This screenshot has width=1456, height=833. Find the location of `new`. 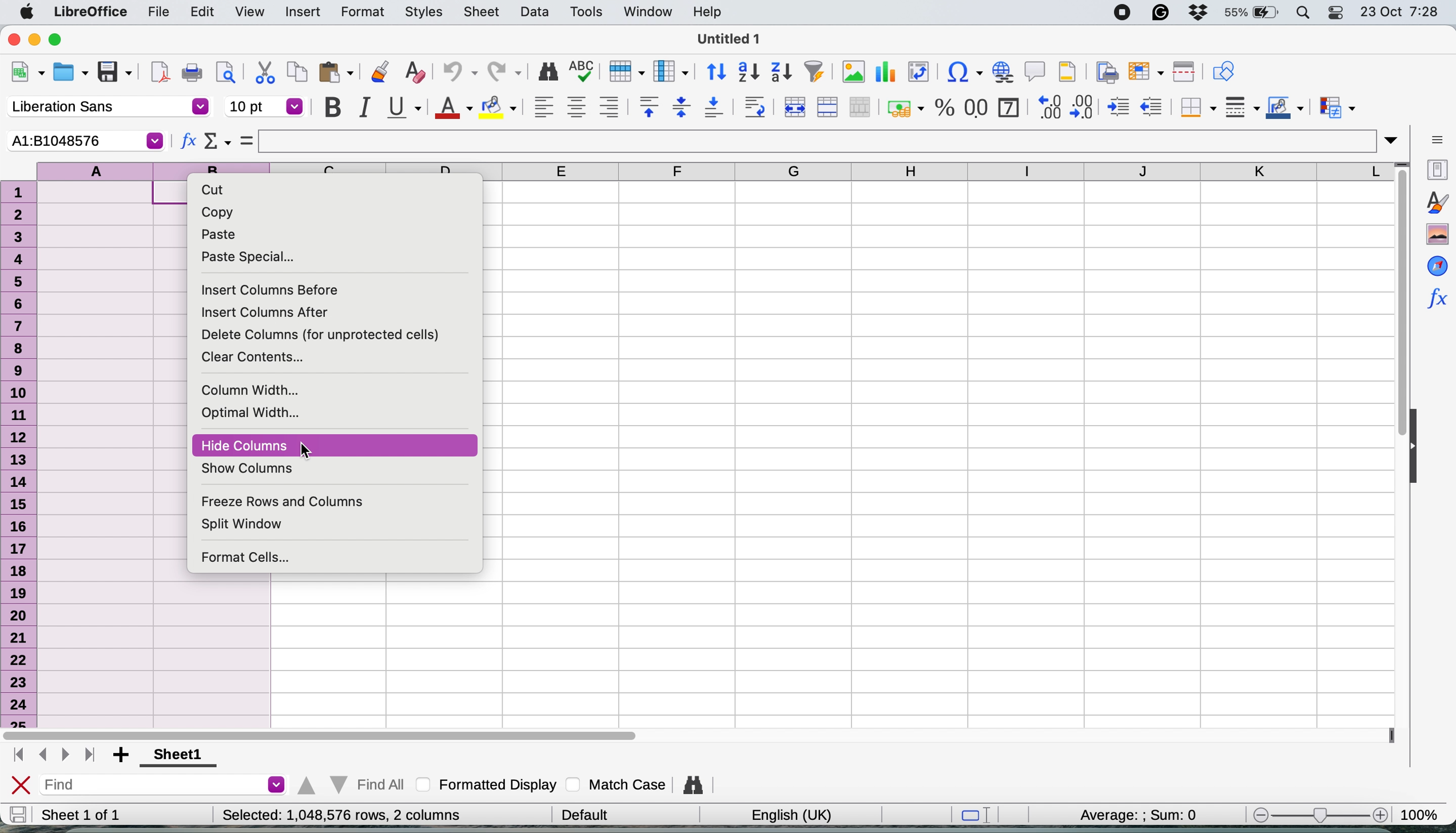

new is located at coordinates (26, 73).